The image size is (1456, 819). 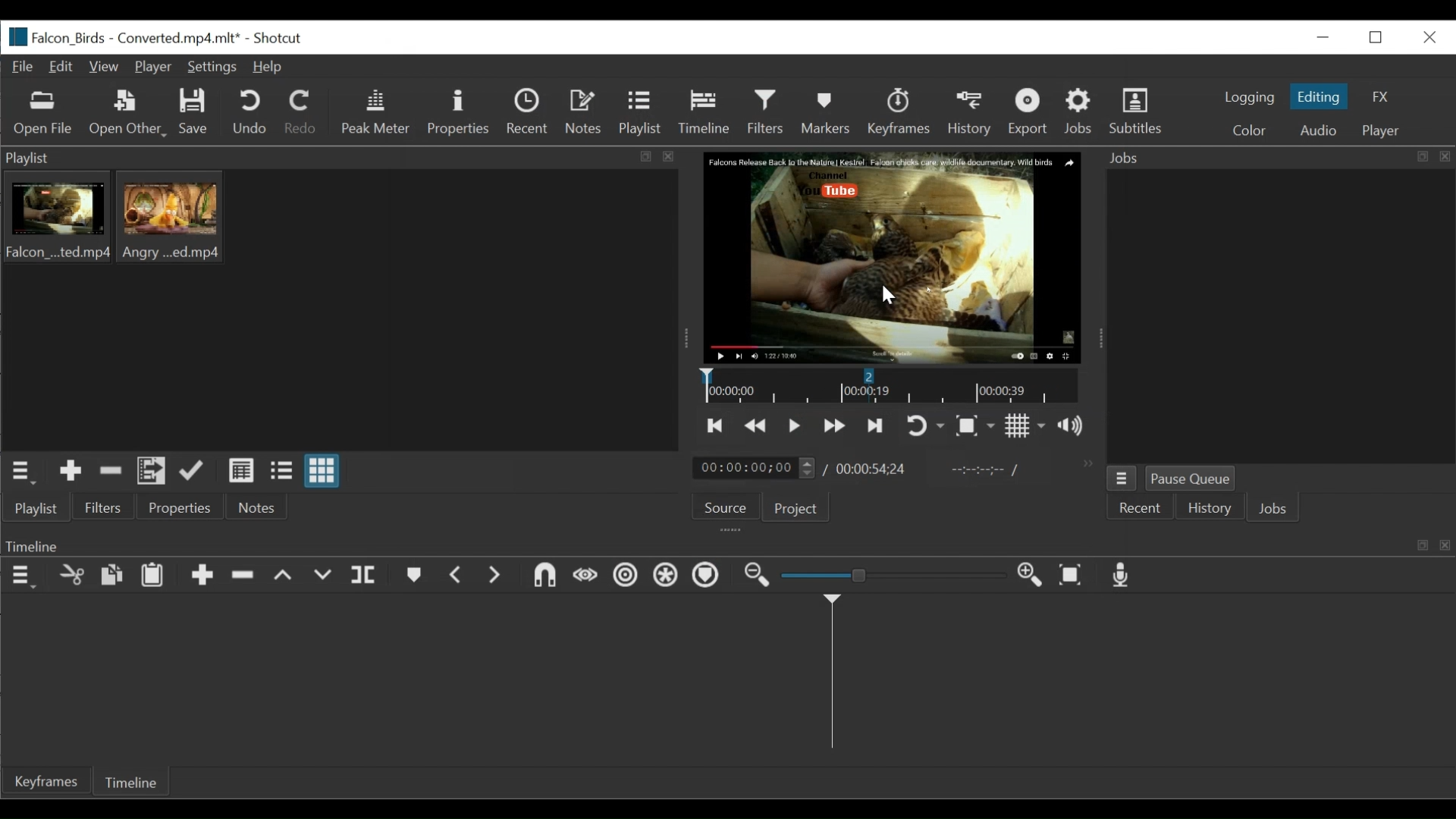 What do you see at coordinates (322, 576) in the screenshot?
I see `Overwrite` at bounding box center [322, 576].